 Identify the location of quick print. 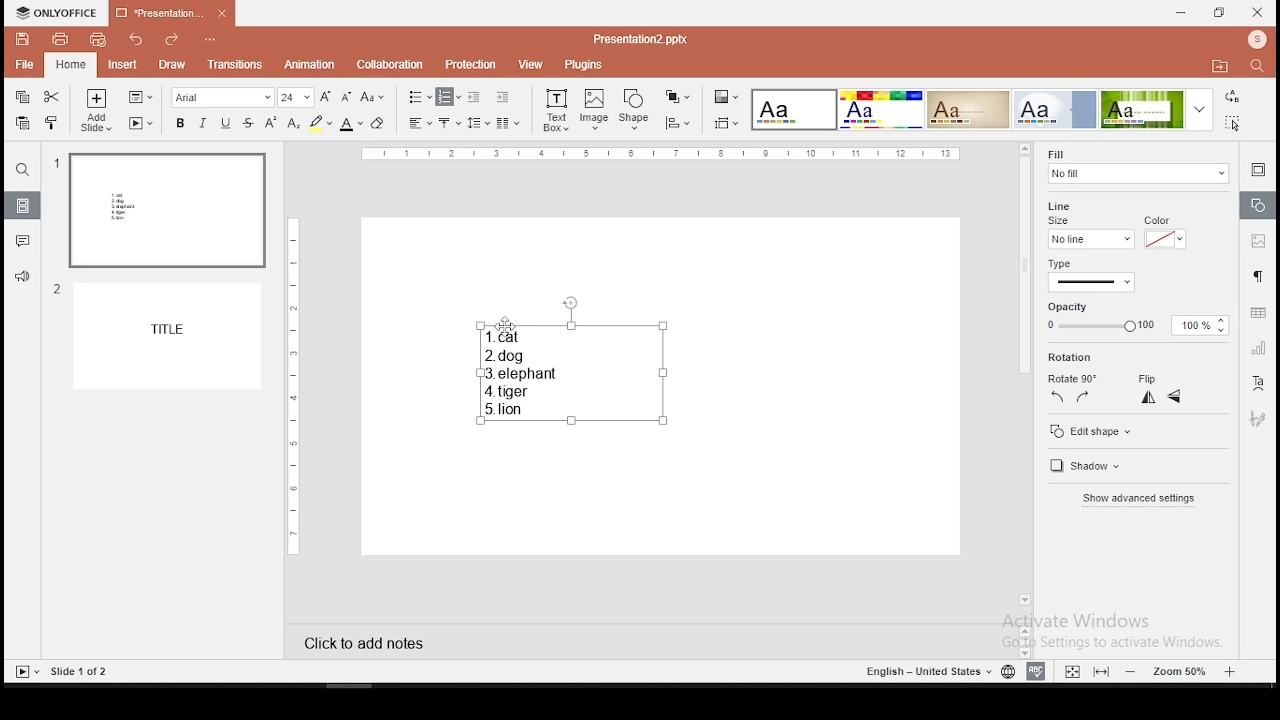
(97, 39).